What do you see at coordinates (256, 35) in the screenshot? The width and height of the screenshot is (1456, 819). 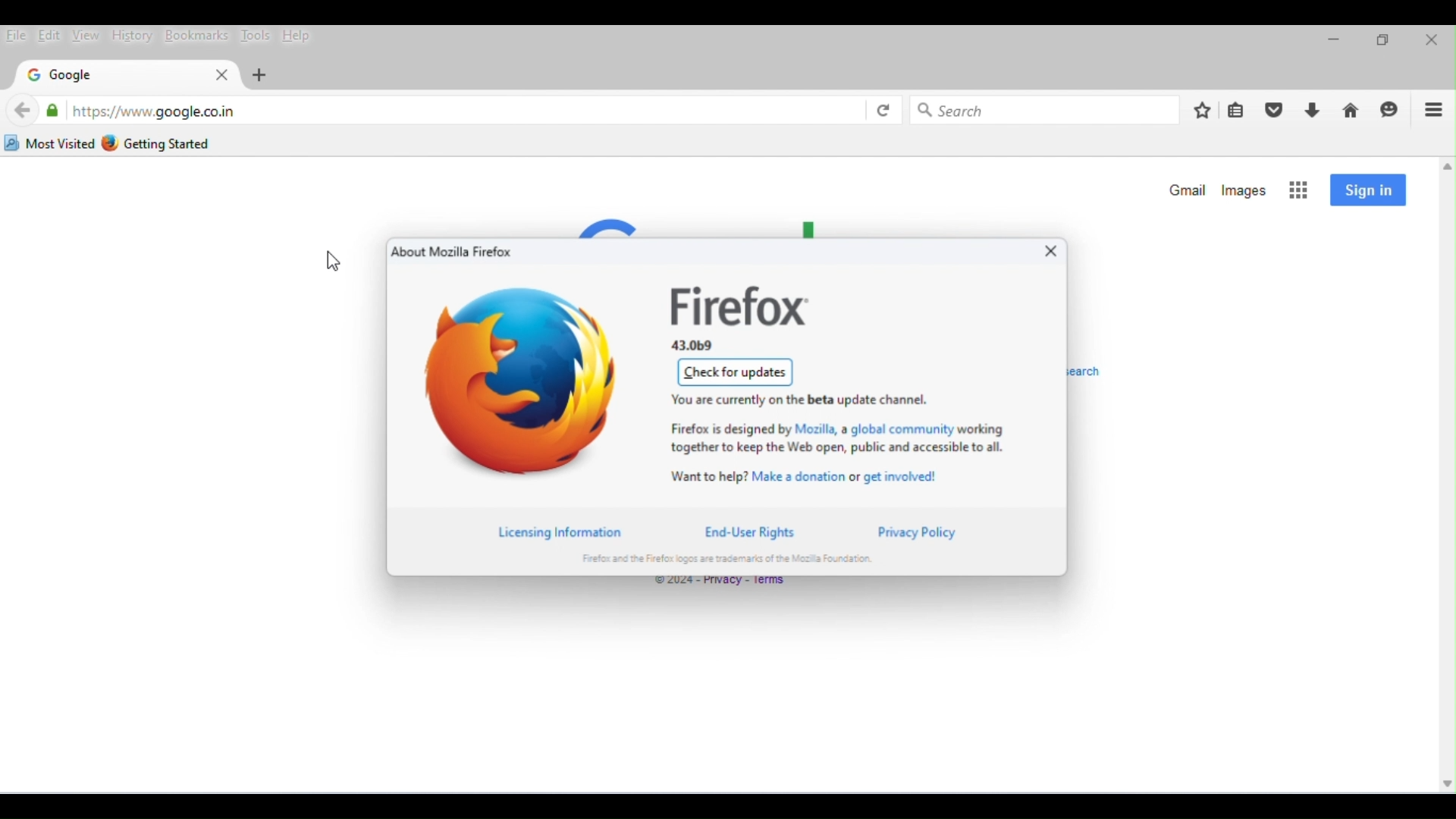 I see `tools` at bounding box center [256, 35].